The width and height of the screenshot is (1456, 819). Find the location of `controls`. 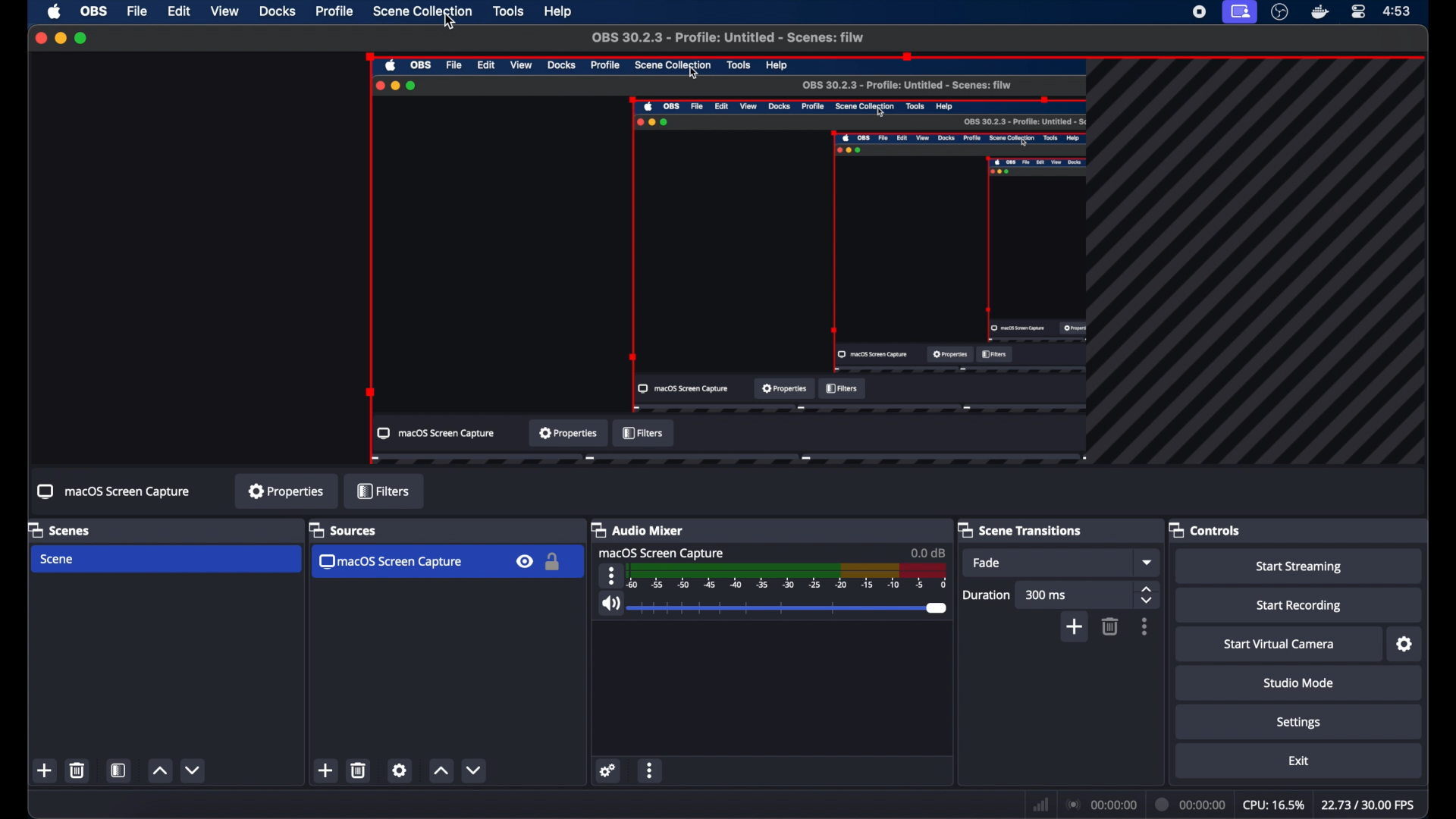

controls is located at coordinates (1207, 529).